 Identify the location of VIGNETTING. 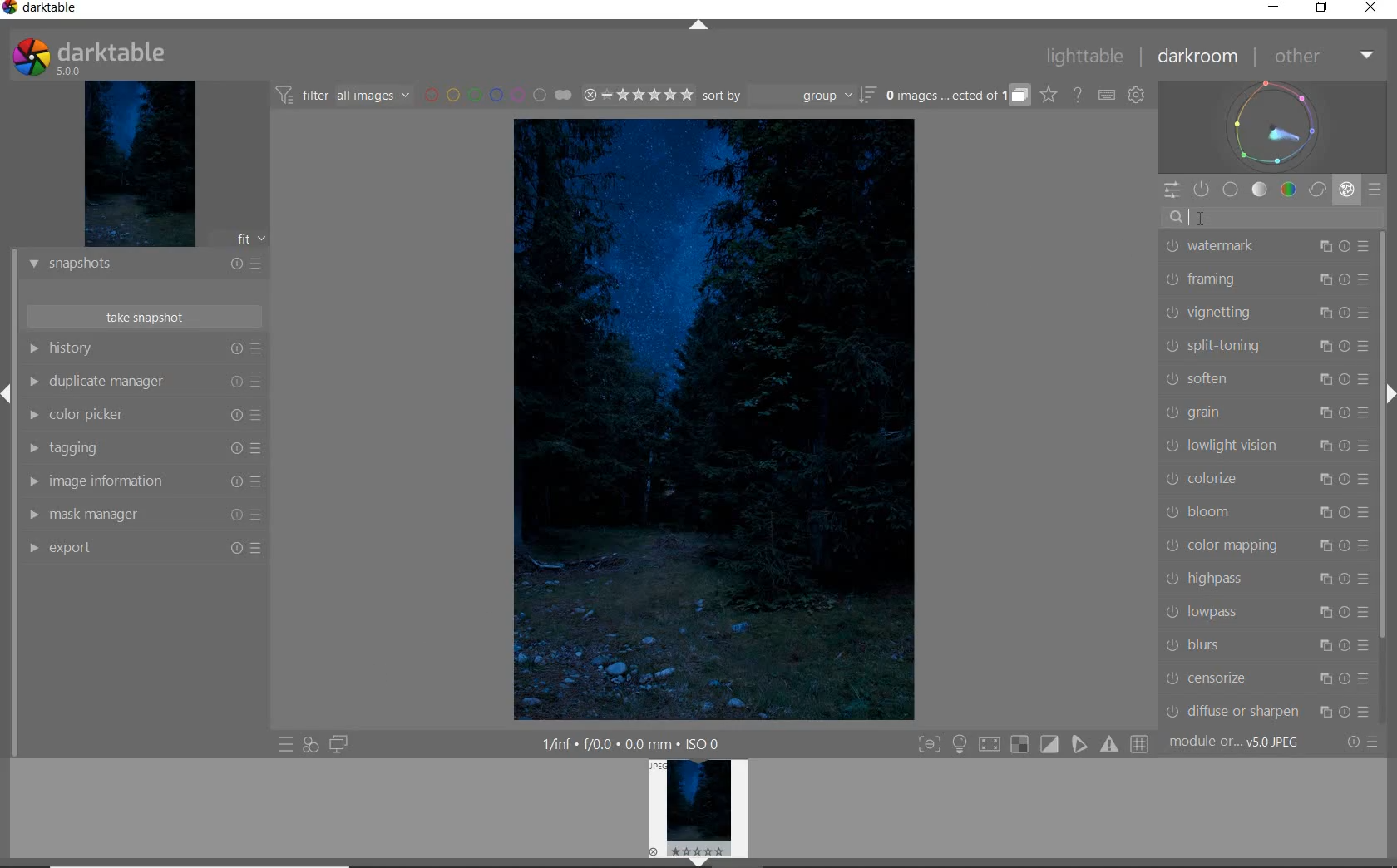
(1267, 313).